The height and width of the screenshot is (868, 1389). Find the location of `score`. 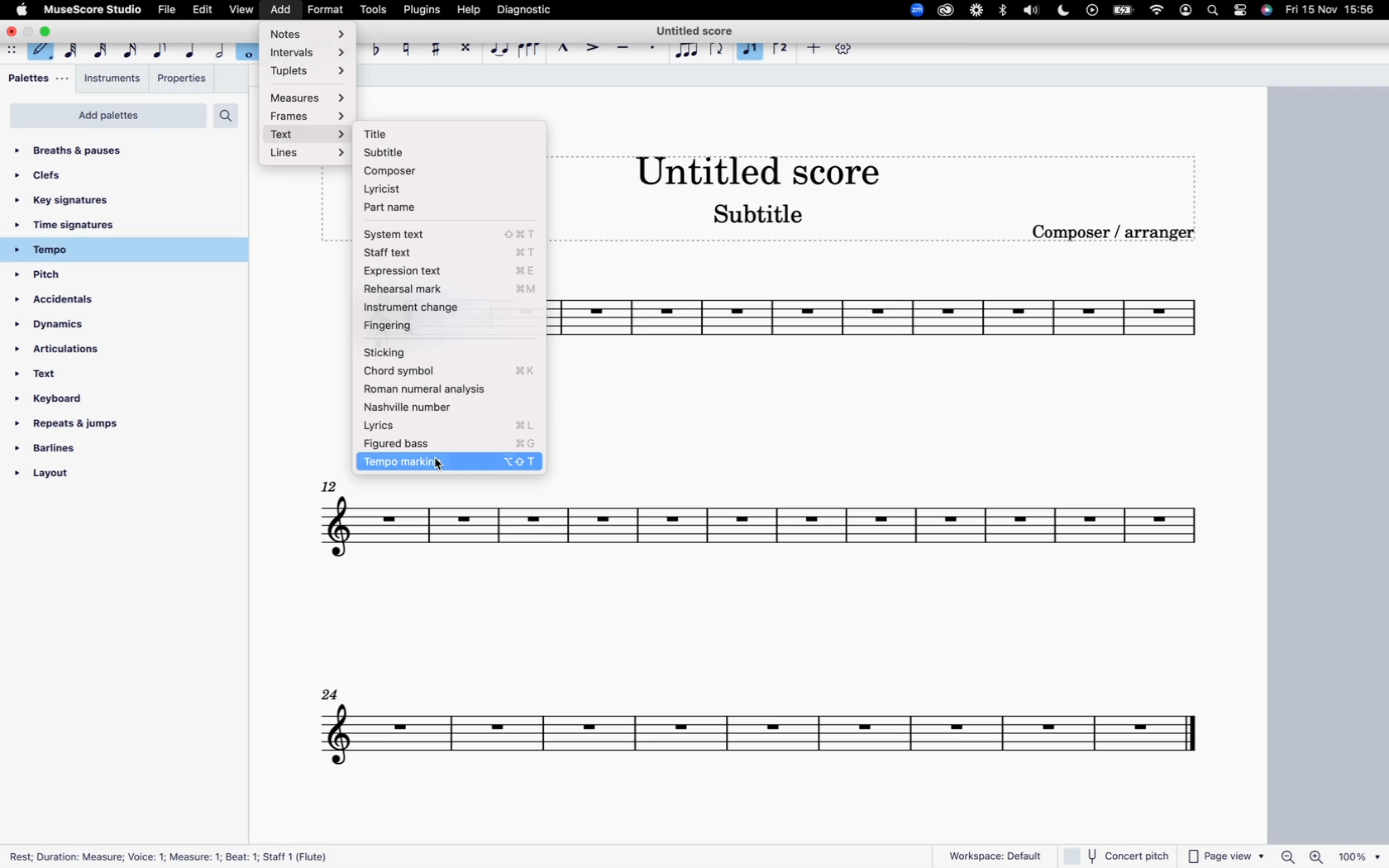

score is located at coordinates (893, 324).